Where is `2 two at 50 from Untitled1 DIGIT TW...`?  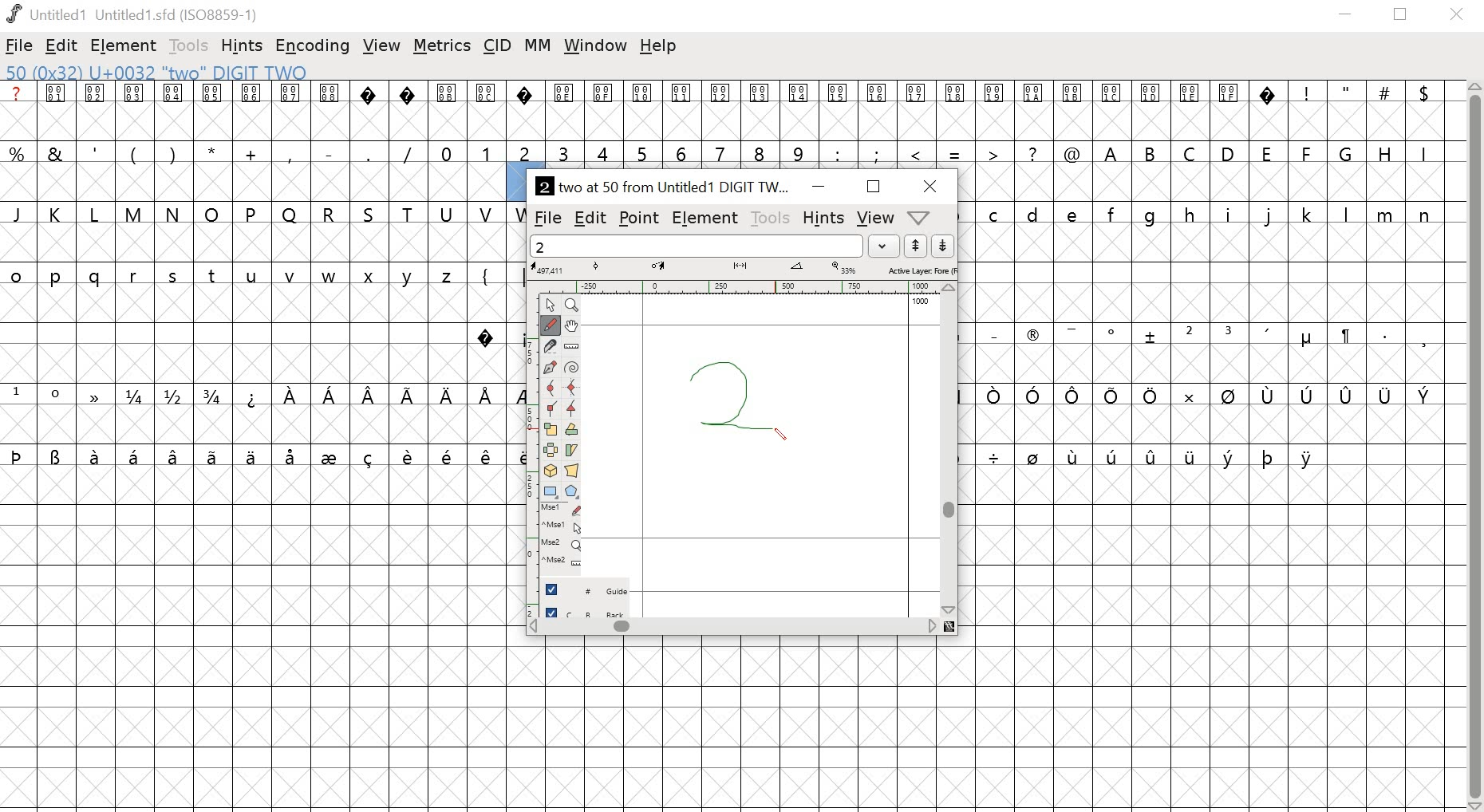 2 two at 50 from Untitled1 DIGIT TW... is located at coordinates (662, 185).